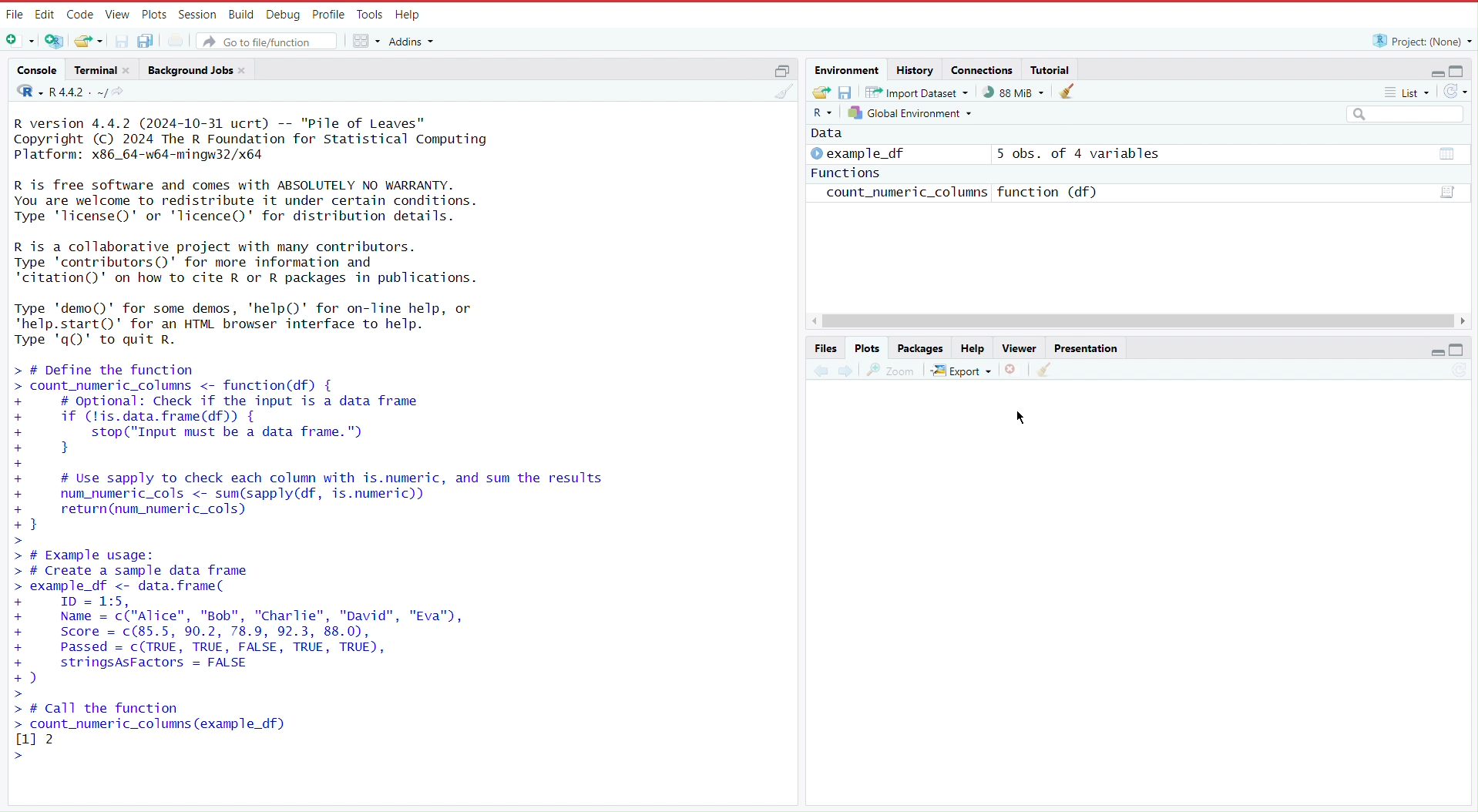 This screenshot has width=1478, height=812. I want to click on , so click(1404, 116).